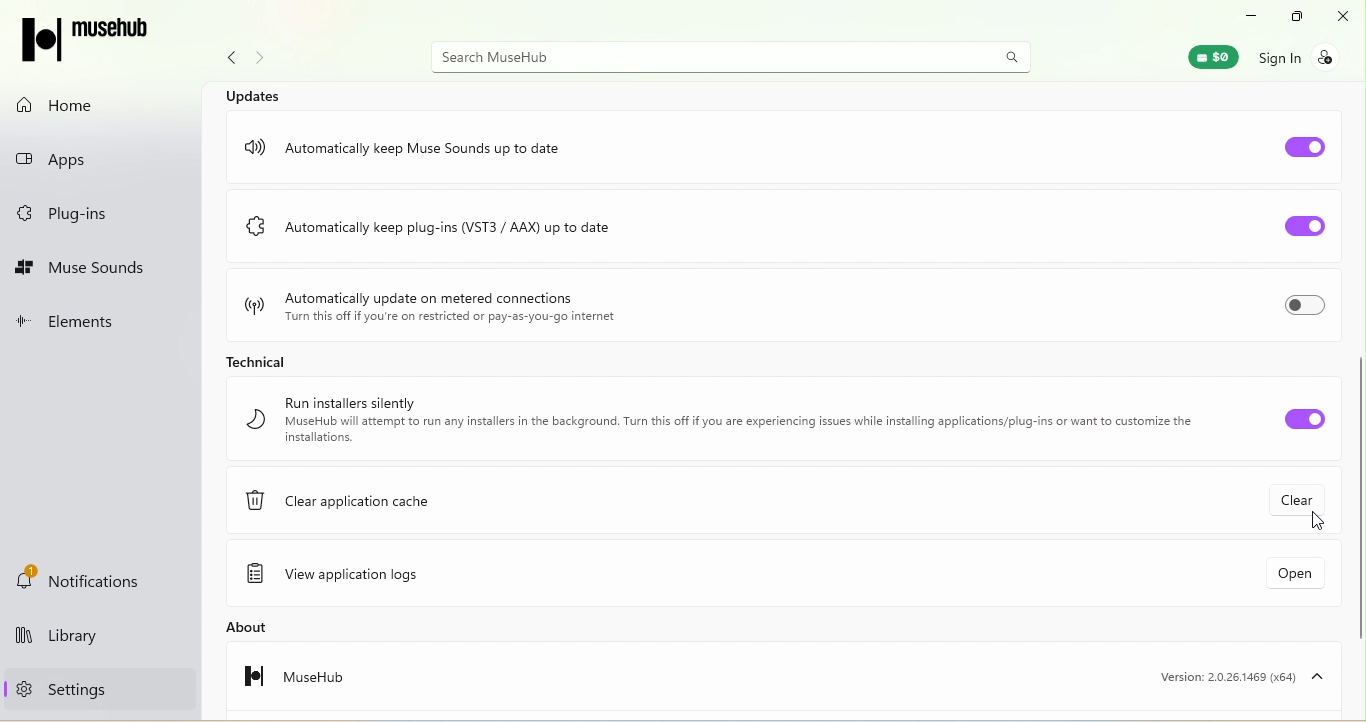  What do you see at coordinates (90, 639) in the screenshot?
I see `Library` at bounding box center [90, 639].